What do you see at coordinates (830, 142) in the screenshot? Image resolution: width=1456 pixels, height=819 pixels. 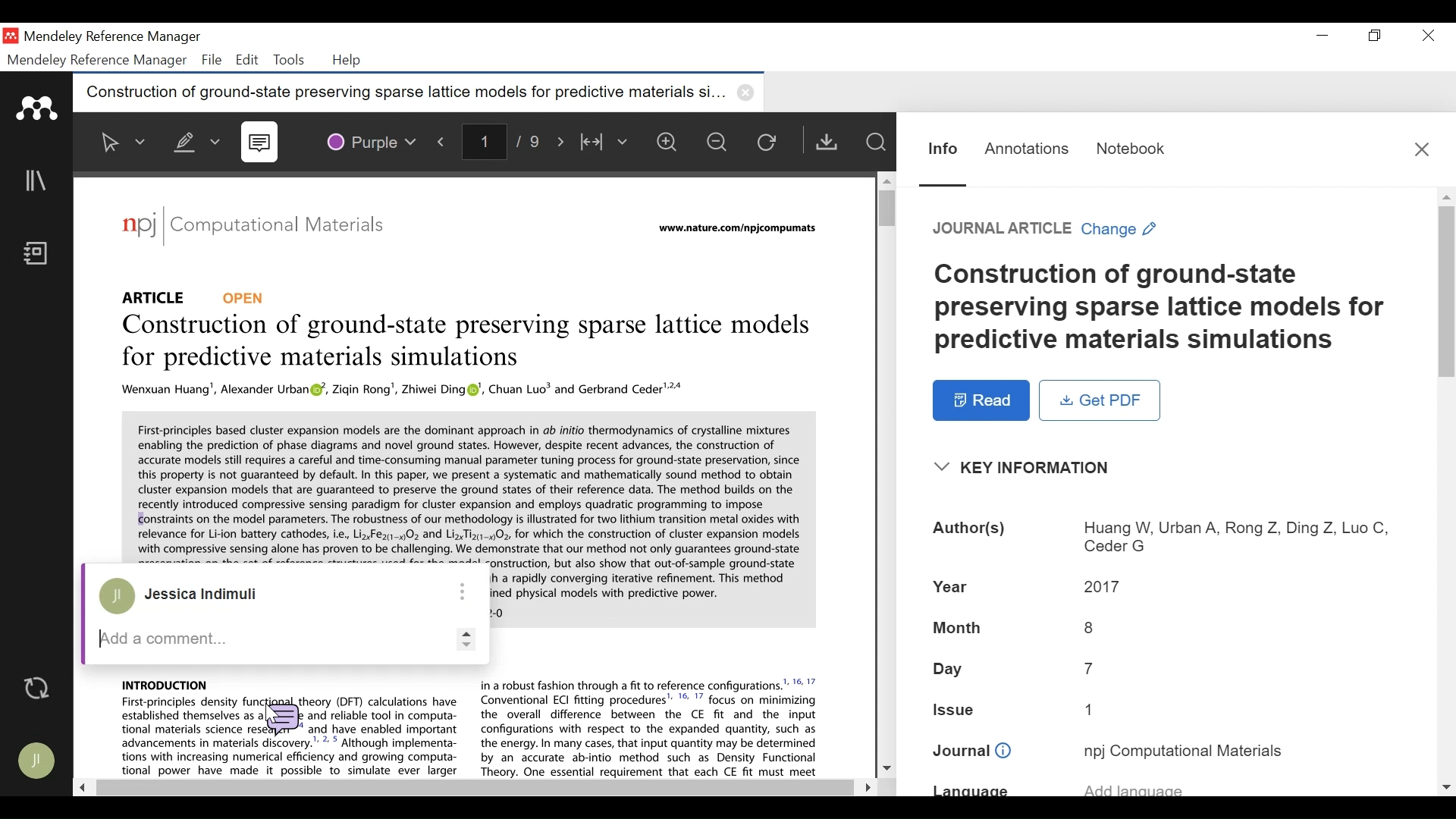 I see `Get PDF` at bounding box center [830, 142].